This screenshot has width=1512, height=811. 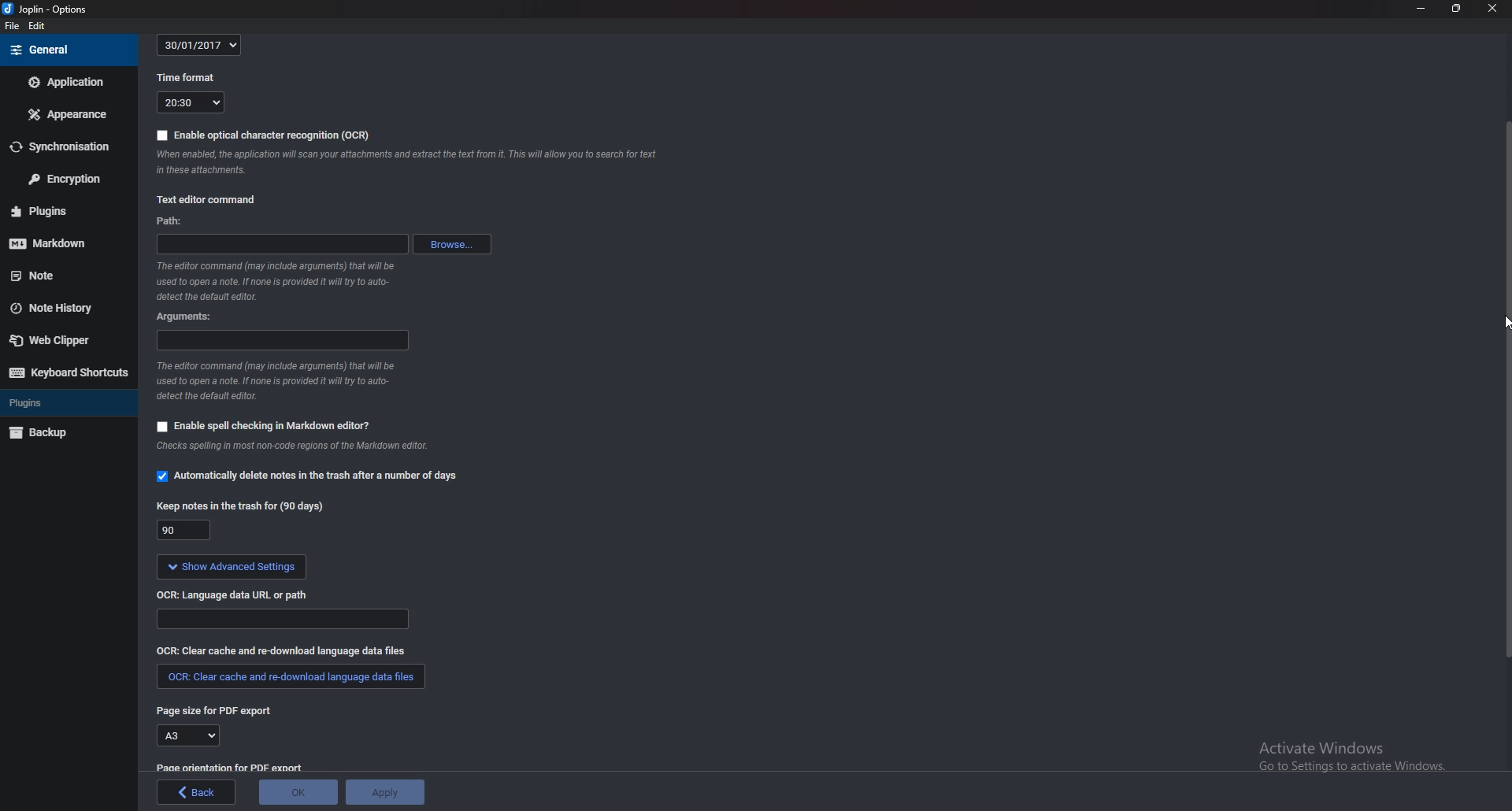 What do you see at coordinates (283, 341) in the screenshot?
I see `Arguments` at bounding box center [283, 341].